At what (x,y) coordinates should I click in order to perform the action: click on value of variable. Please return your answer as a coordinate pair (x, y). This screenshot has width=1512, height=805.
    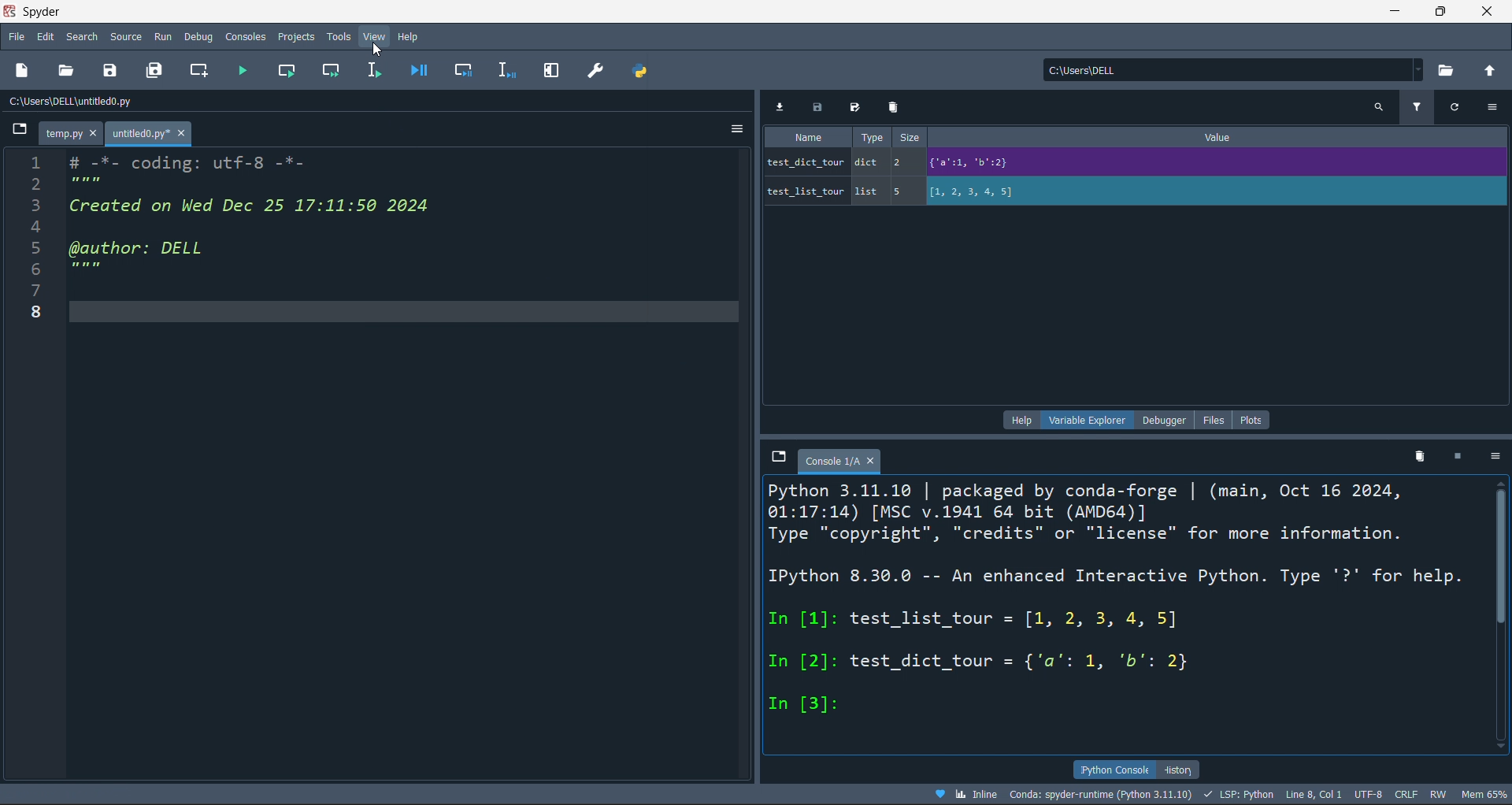
    Looking at the image, I should click on (1215, 191).